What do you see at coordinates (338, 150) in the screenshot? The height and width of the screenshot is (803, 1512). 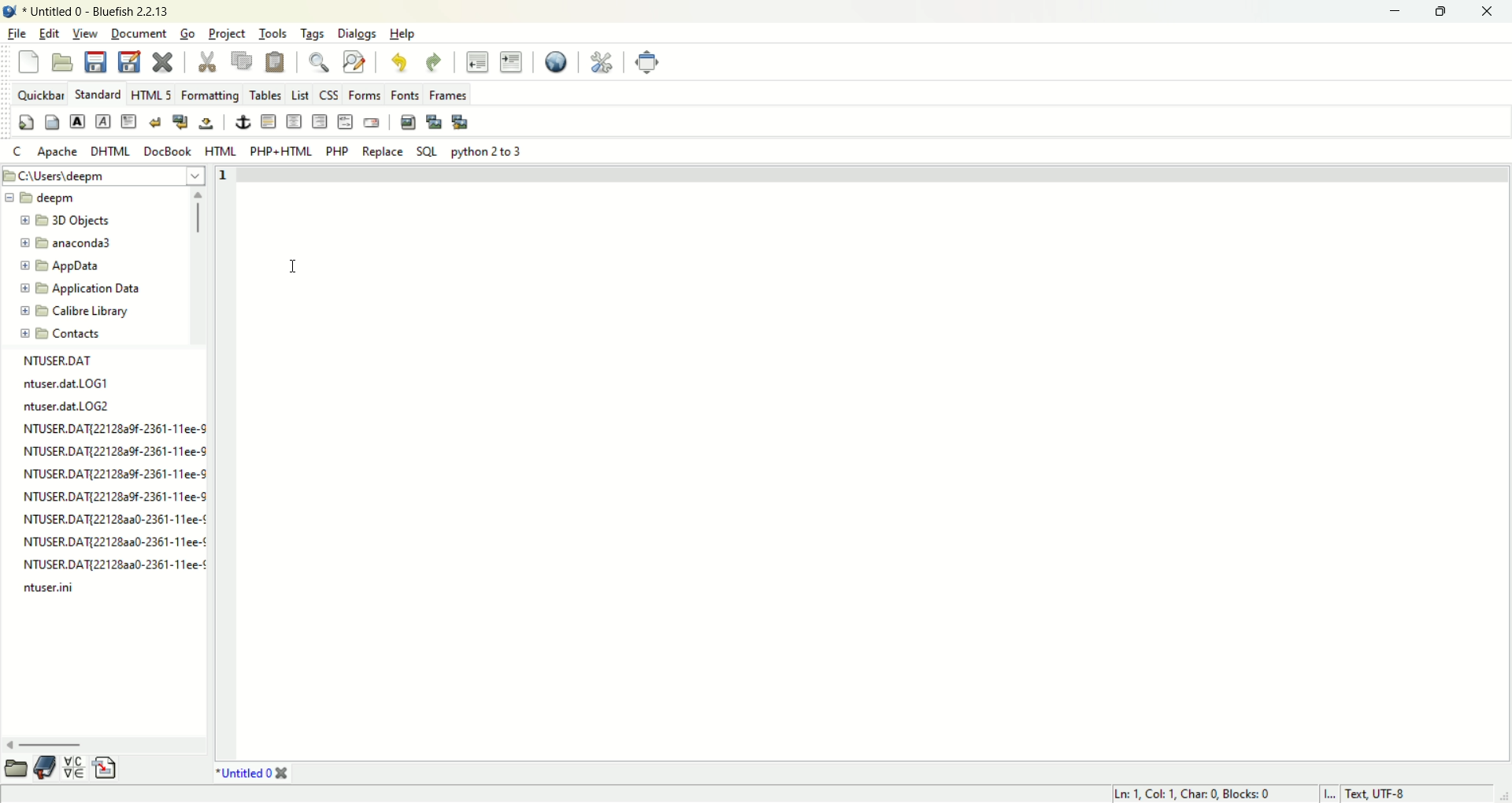 I see `PHP` at bounding box center [338, 150].